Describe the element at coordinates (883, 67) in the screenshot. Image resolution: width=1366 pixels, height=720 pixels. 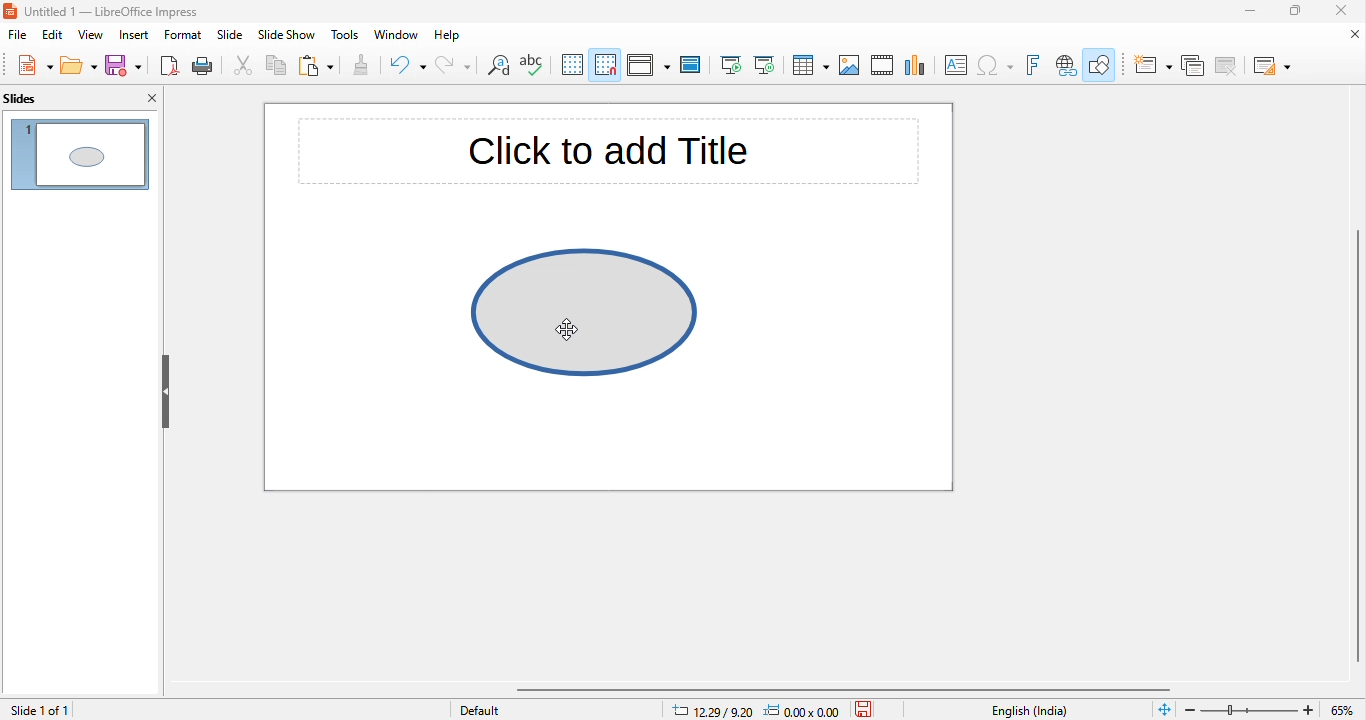
I see `video` at that location.